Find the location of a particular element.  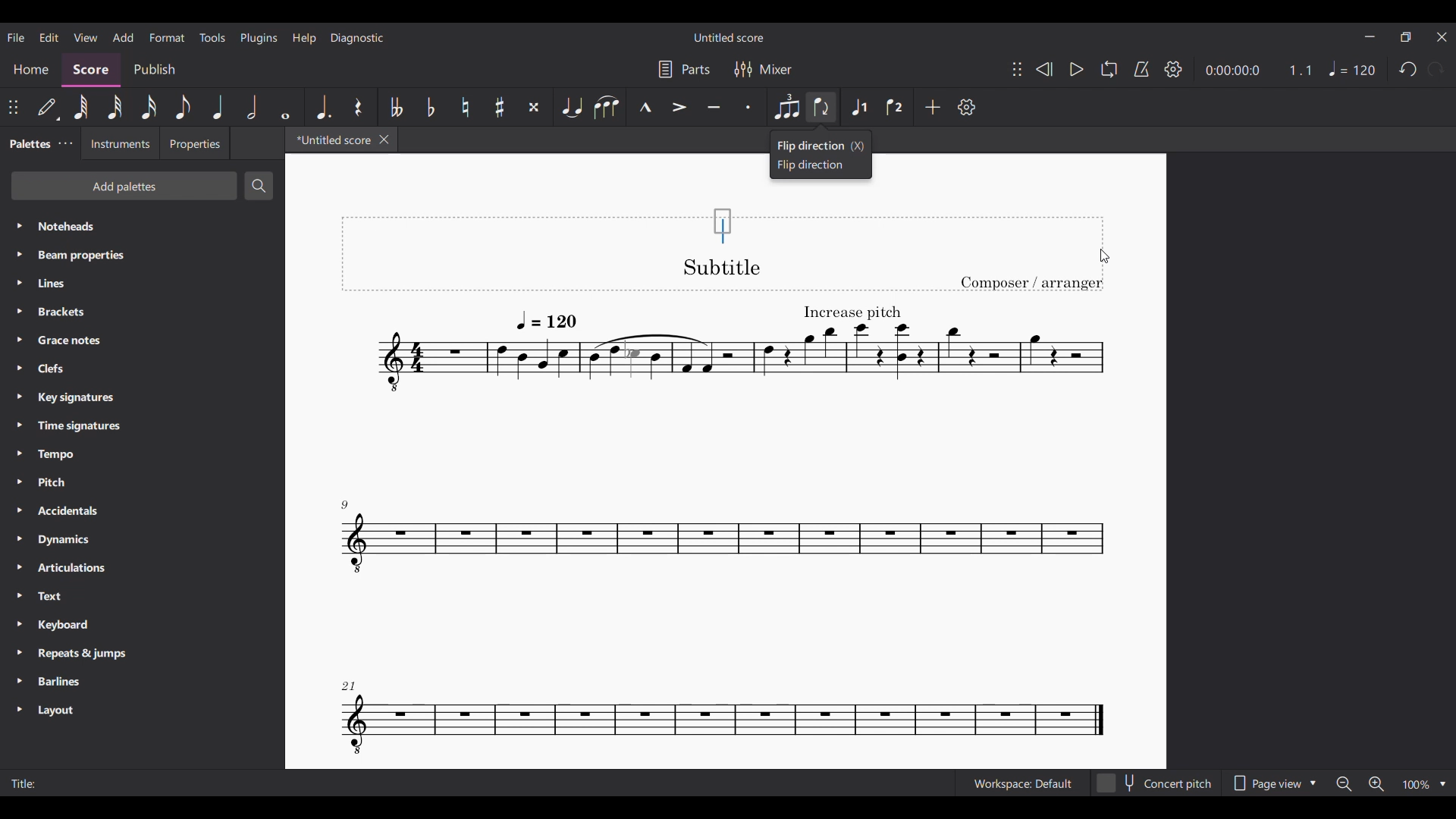

Add palettes is located at coordinates (125, 186).